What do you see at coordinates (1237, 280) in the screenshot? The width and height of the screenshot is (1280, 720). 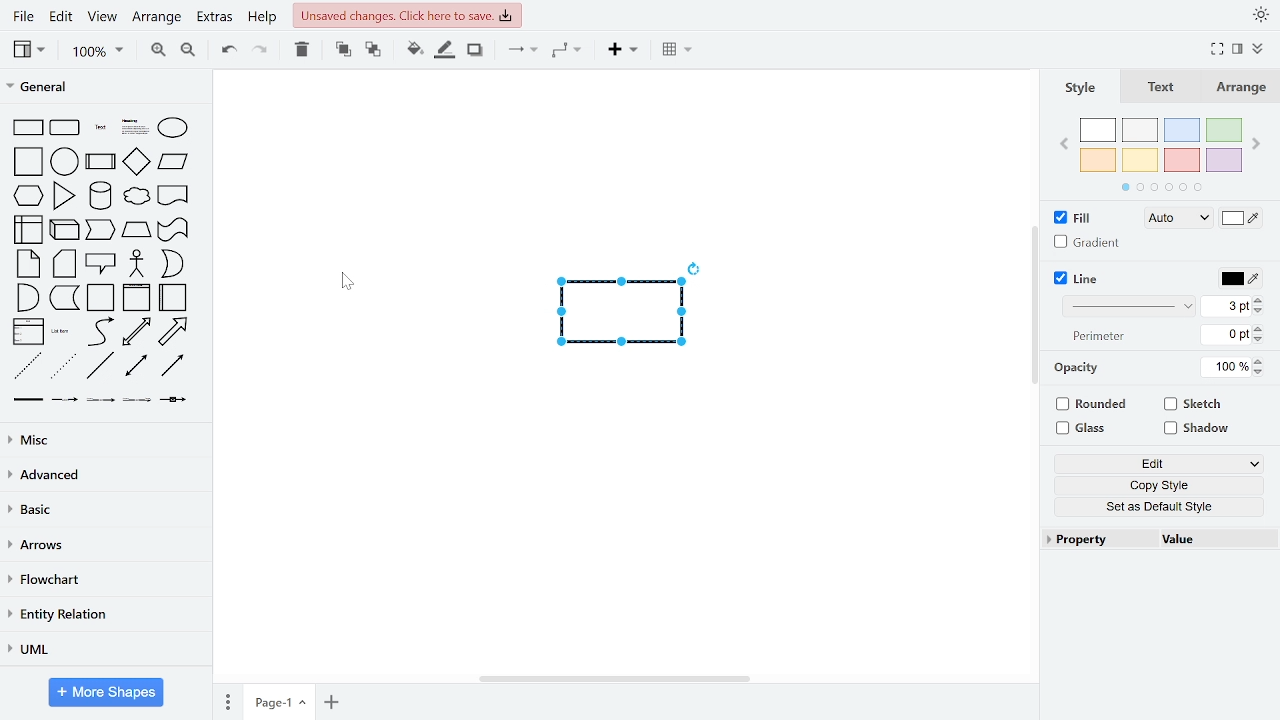 I see `line color` at bounding box center [1237, 280].